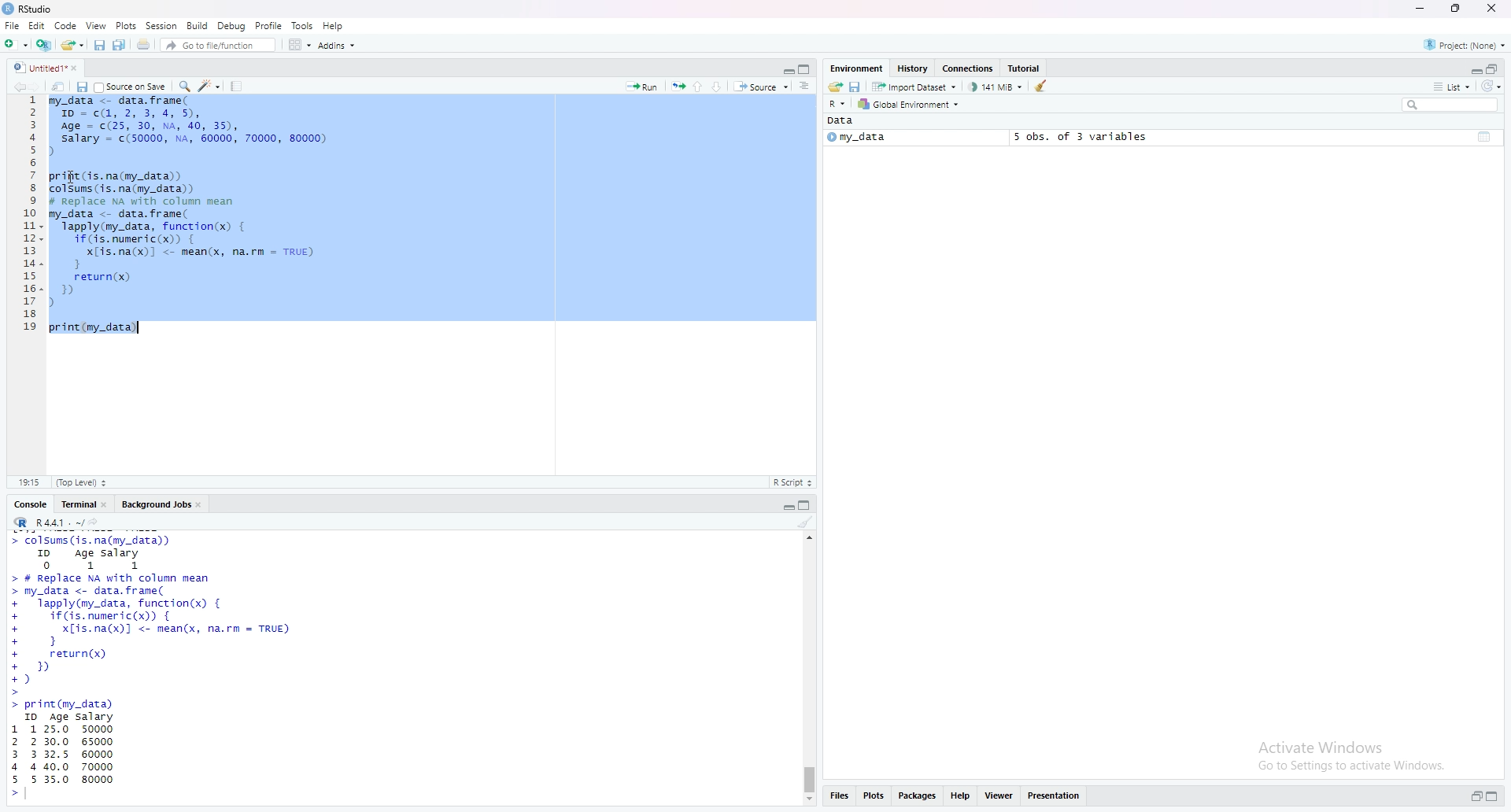 The height and width of the screenshot is (812, 1511). Describe the element at coordinates (1494, 8) in the screenshot. I see `close` at that location.